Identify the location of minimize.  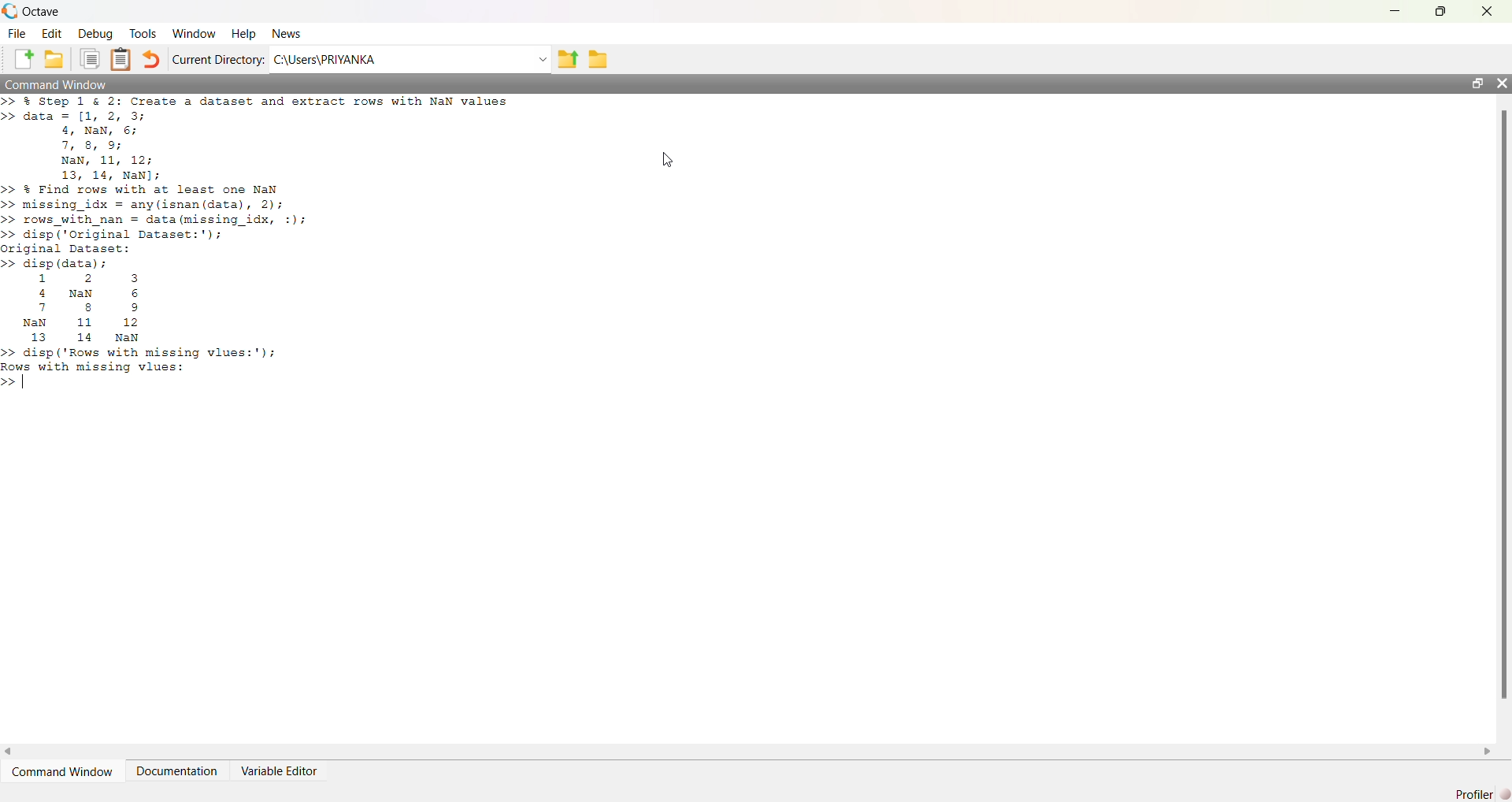
(1395, 11).